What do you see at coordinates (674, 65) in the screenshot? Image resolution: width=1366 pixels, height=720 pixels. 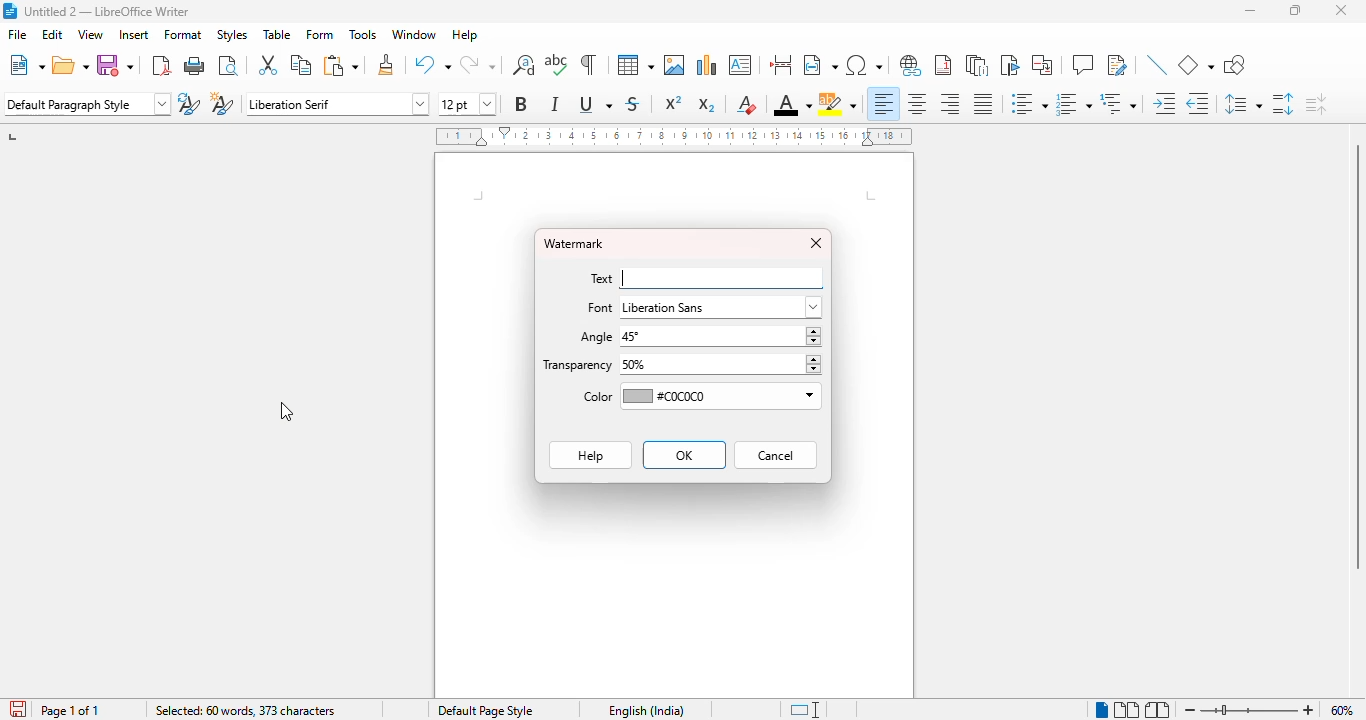 I see `insert image` at bounding box center [674, 65].